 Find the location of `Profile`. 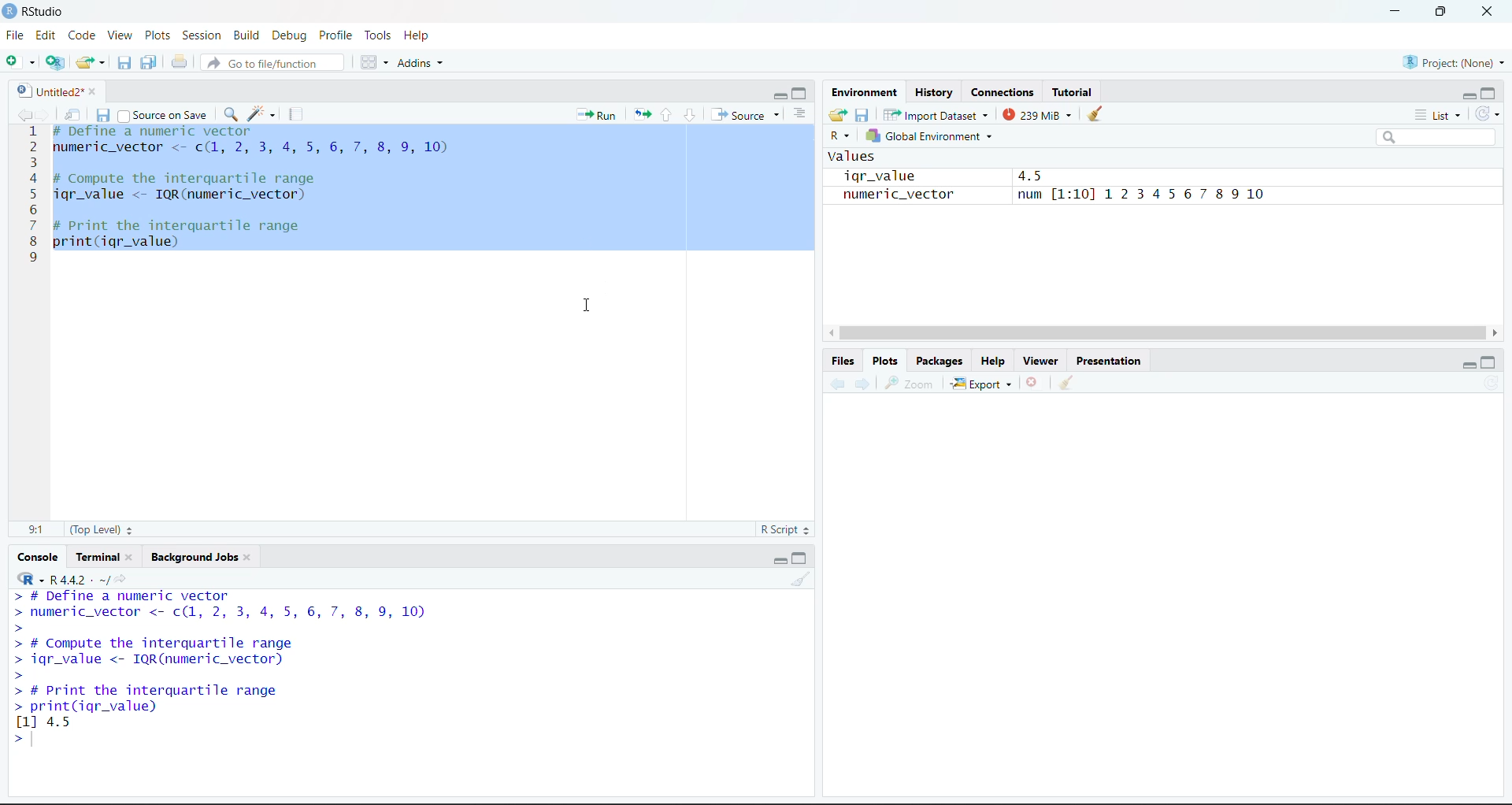

Profile is located at coordinates (333, 35).